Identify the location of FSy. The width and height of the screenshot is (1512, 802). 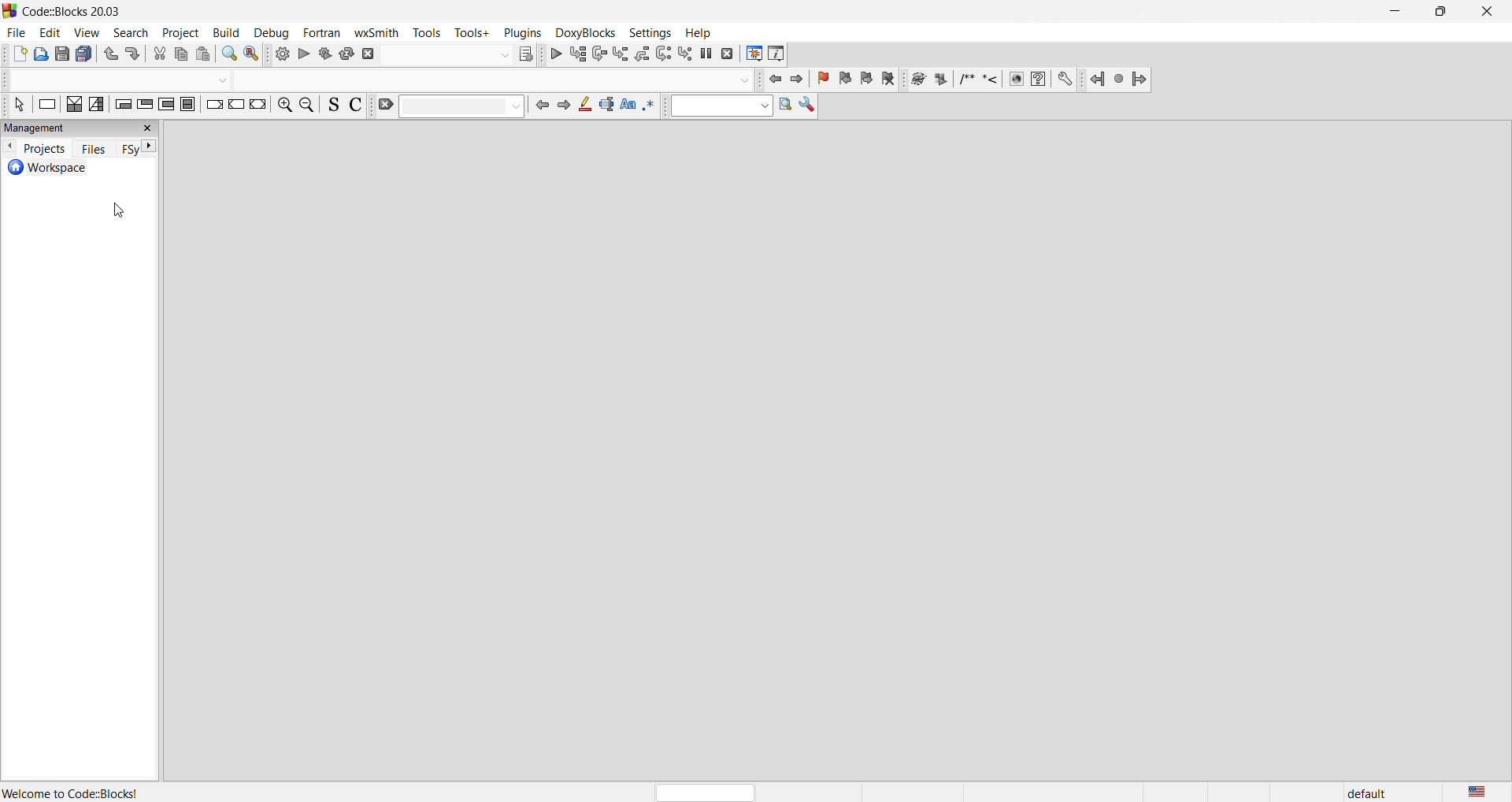
(128, 150).